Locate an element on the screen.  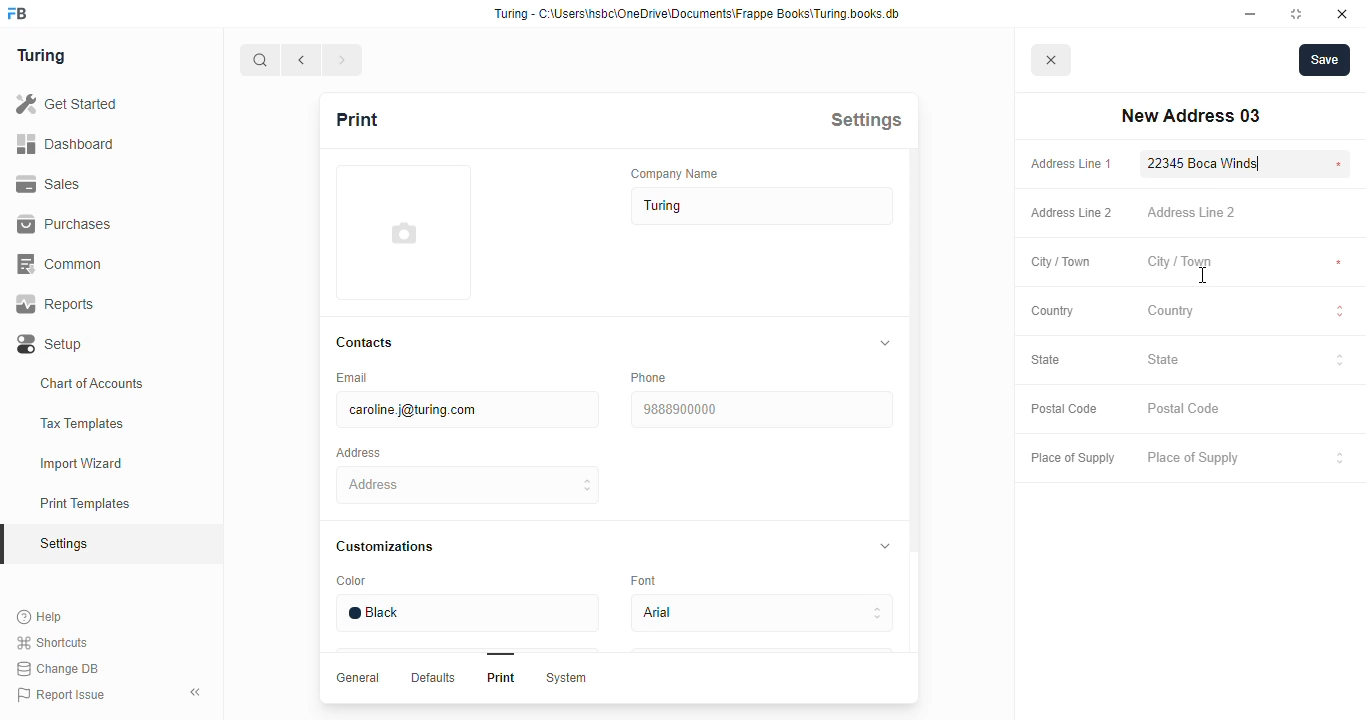
reports is located at coordinates (56, 304).